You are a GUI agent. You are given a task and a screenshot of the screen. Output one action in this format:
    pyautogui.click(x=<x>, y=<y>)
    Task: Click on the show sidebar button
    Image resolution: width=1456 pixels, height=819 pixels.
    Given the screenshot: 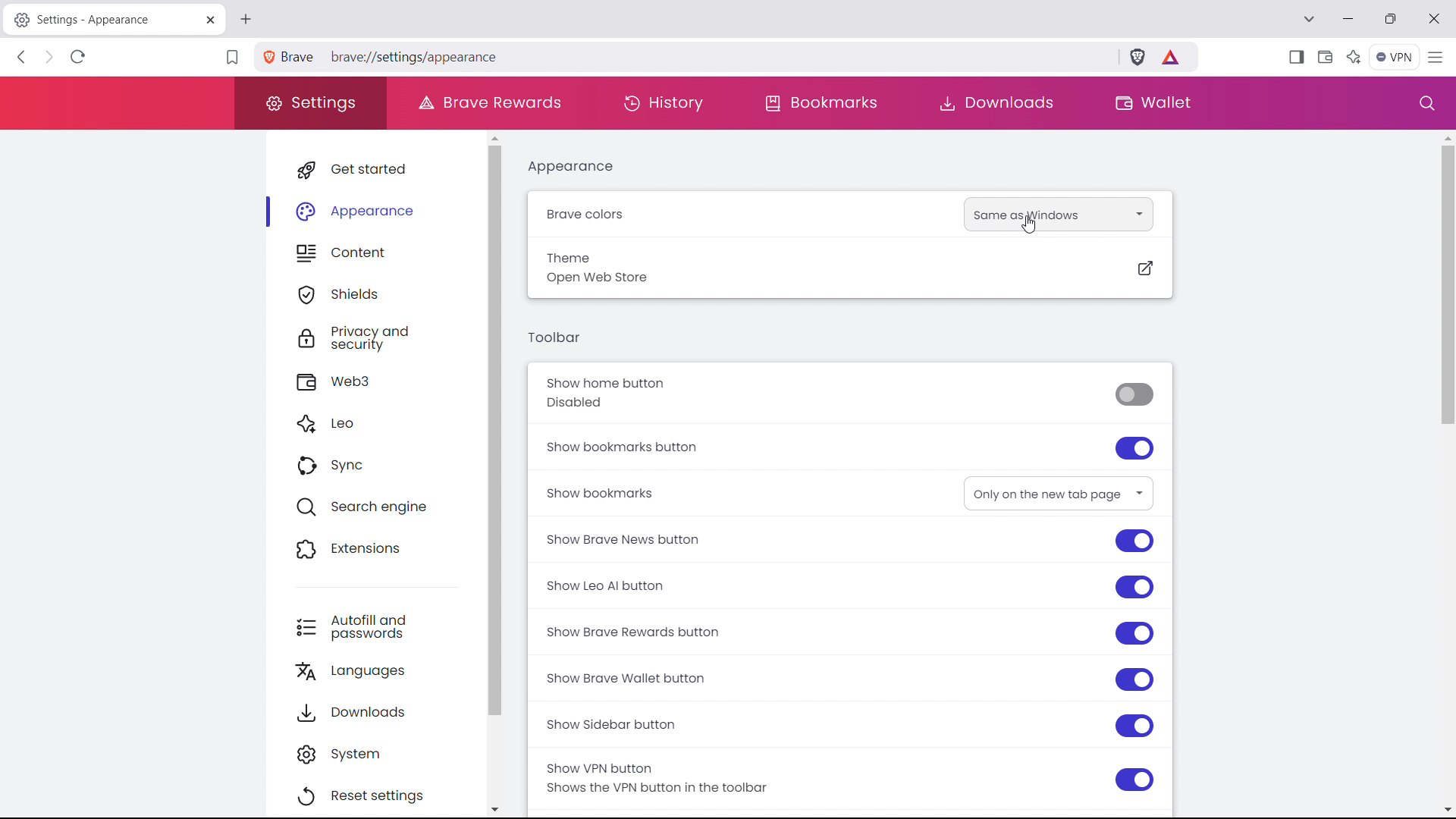 What is the action you would take?
    pyautogui.click(x=849, y=720)
    